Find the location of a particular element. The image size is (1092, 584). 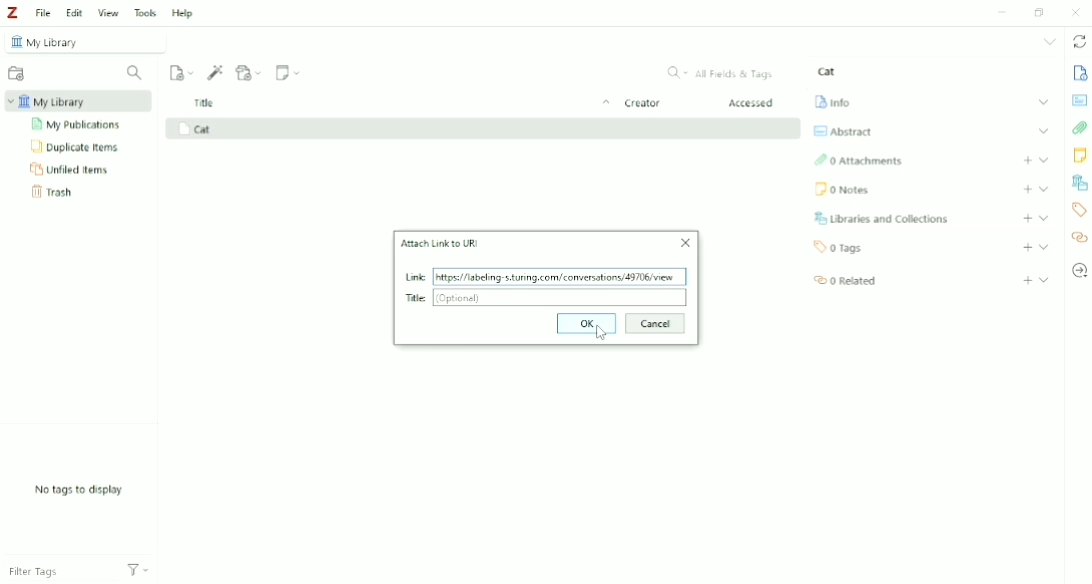

New Note is located at coordinates (289, 72).